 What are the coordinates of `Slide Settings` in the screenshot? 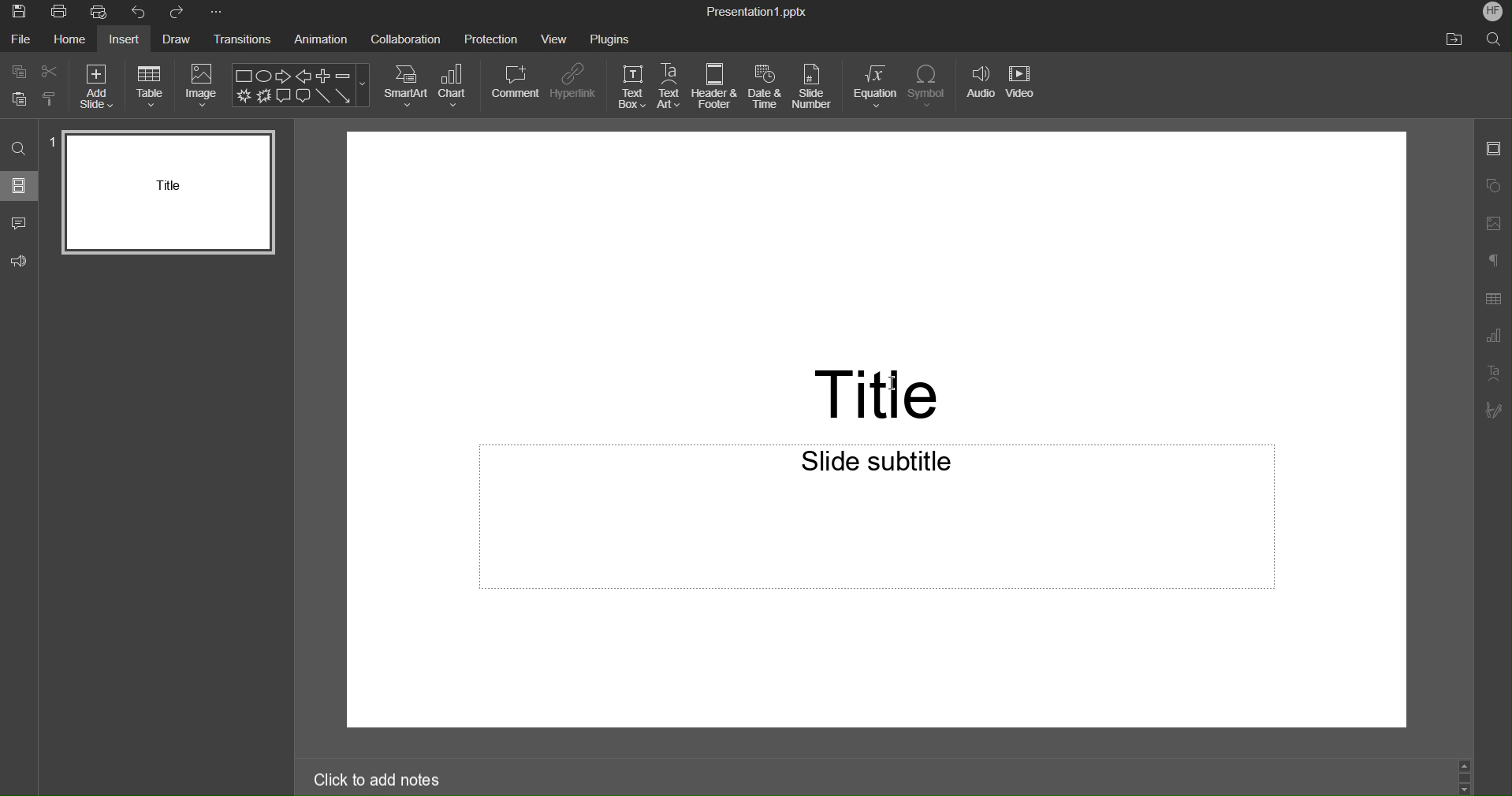 It's located at (1493, 151).